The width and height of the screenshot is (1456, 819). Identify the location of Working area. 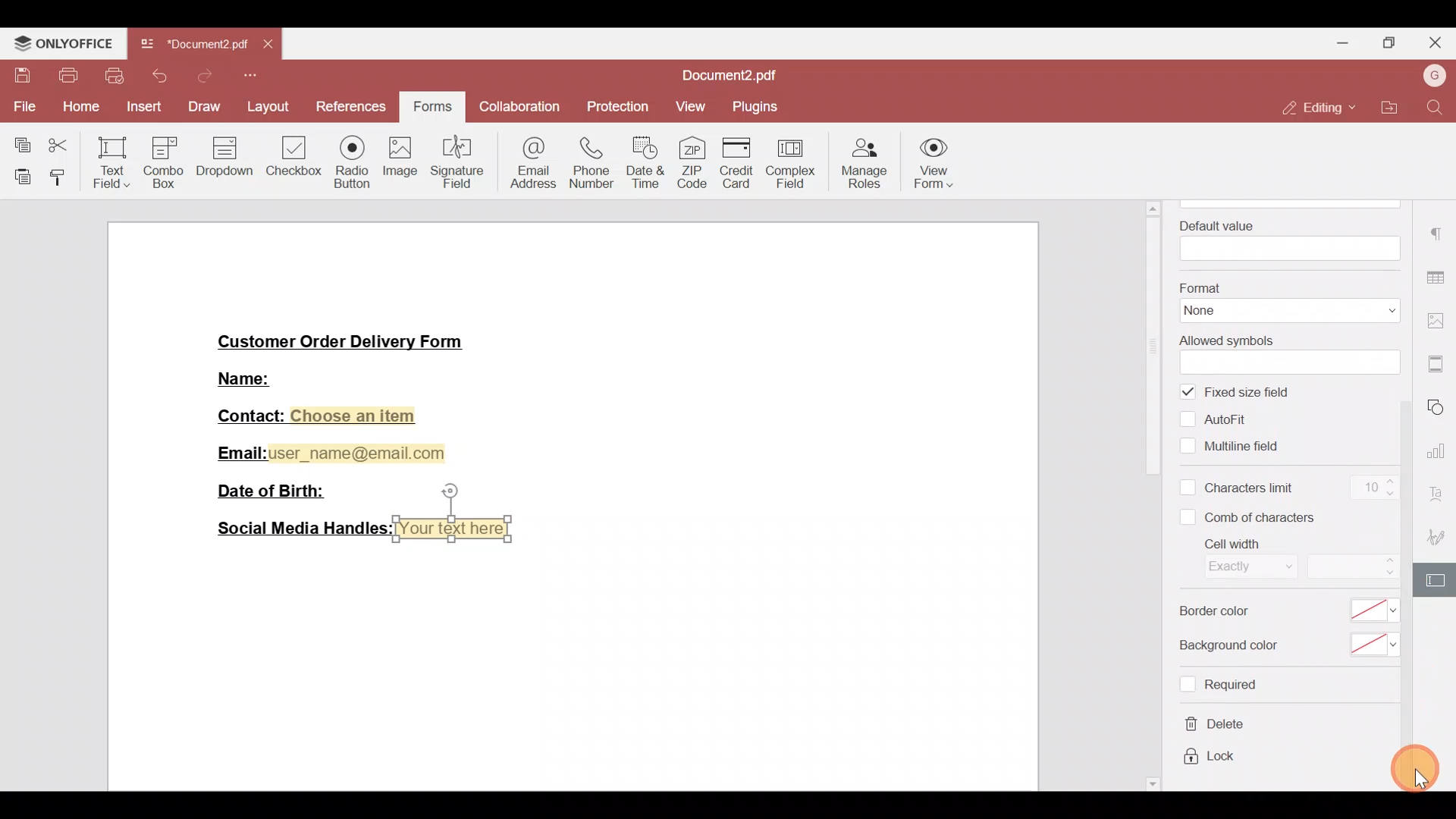
(568, 667).